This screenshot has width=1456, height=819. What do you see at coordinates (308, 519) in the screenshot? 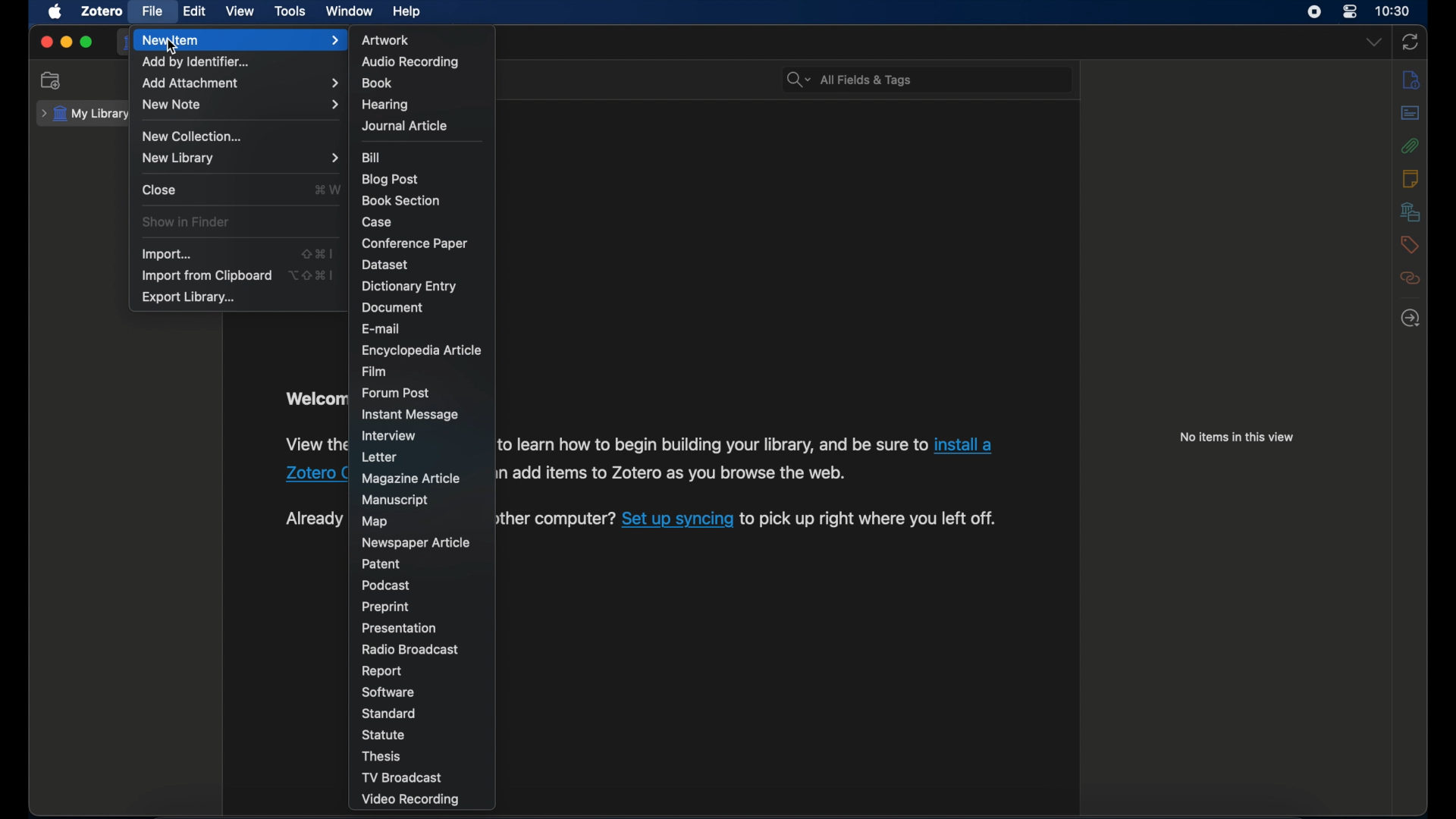
I see `text` at bounding box center [308, 519].